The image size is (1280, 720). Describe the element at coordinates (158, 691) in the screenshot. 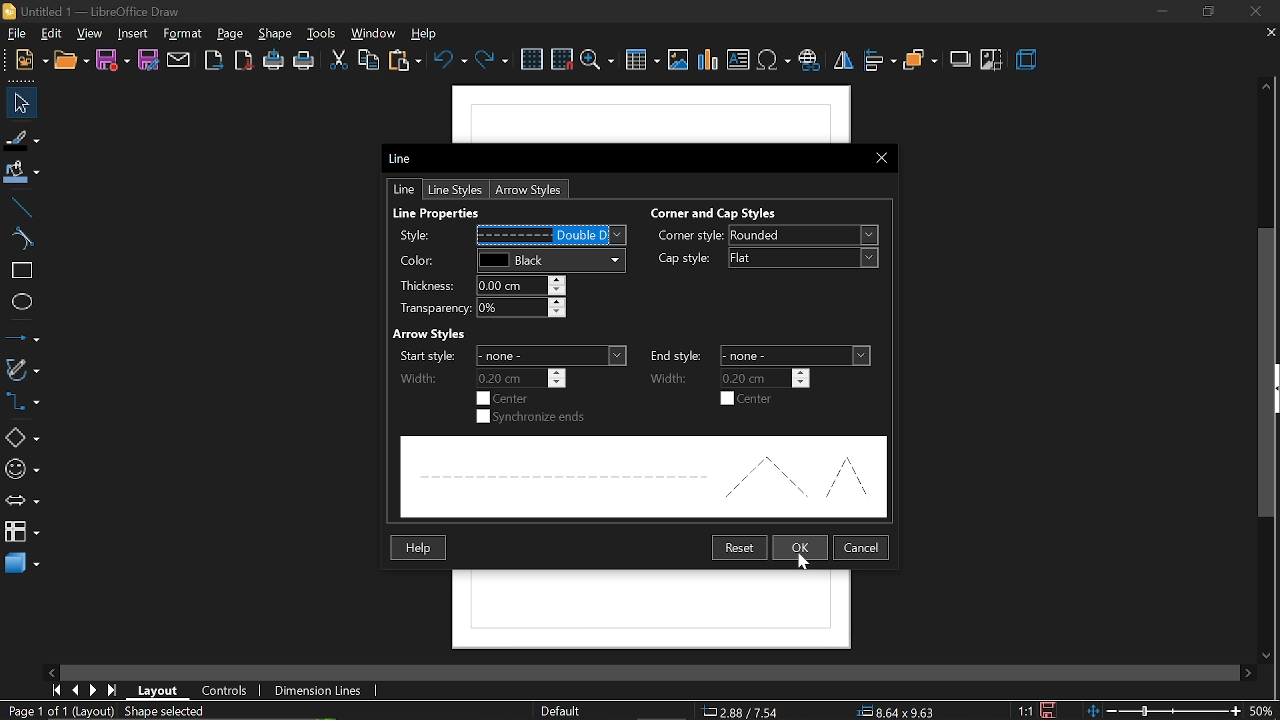

I see `layout` at that location.